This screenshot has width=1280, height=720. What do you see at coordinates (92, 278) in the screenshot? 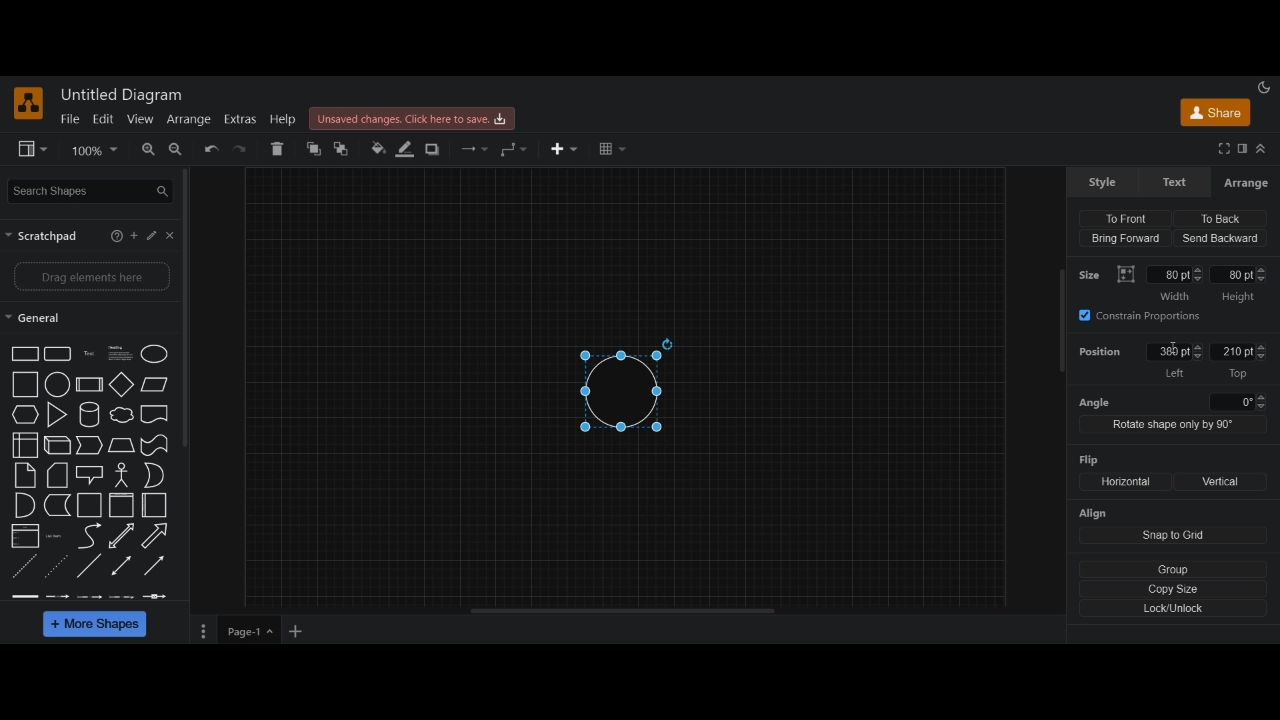
I see `drag elements here` at bounding box center [92, 278].